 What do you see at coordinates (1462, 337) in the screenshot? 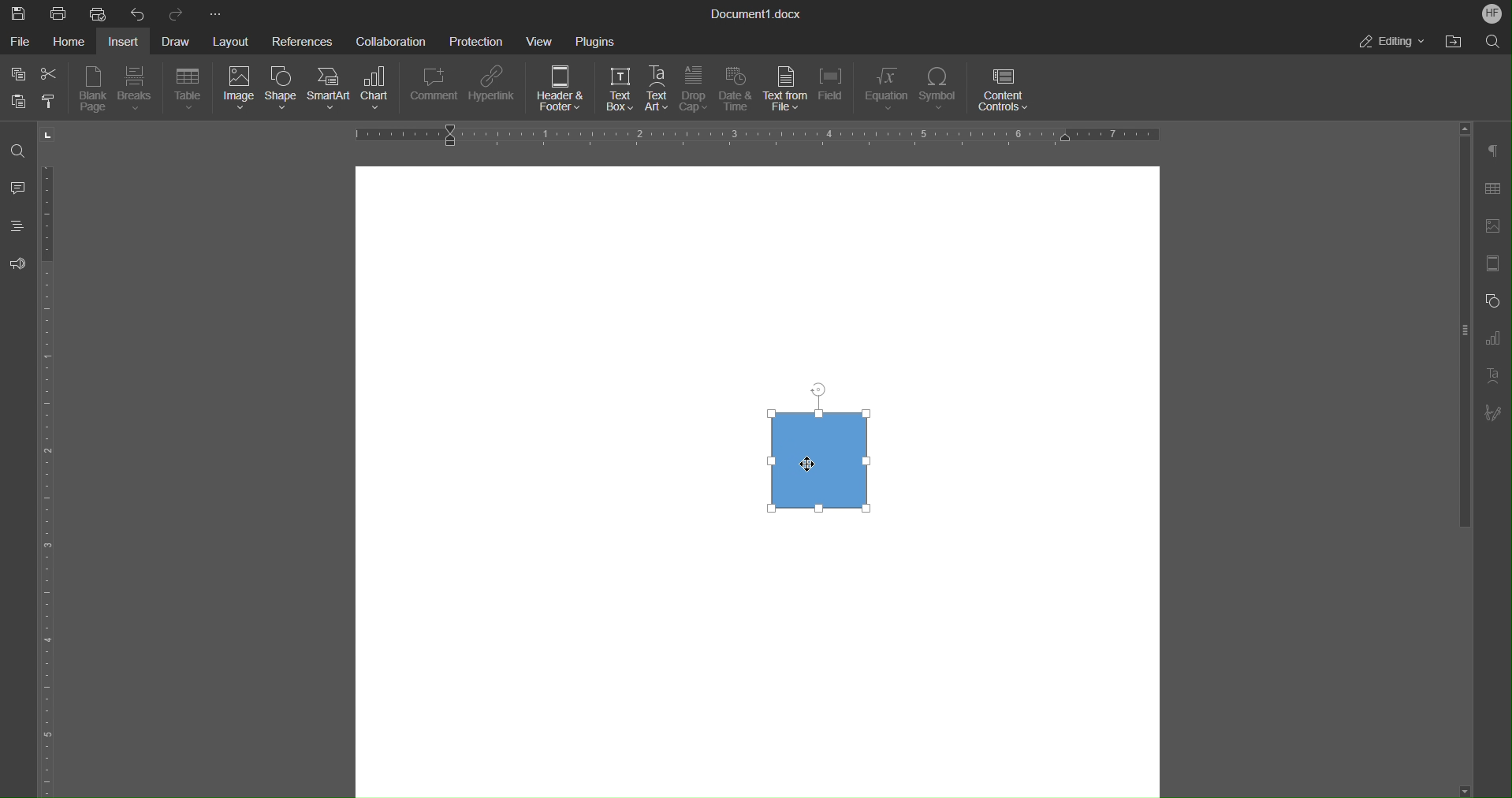
I see `Vertical scroll bar` at bounding box center [1462, 337].